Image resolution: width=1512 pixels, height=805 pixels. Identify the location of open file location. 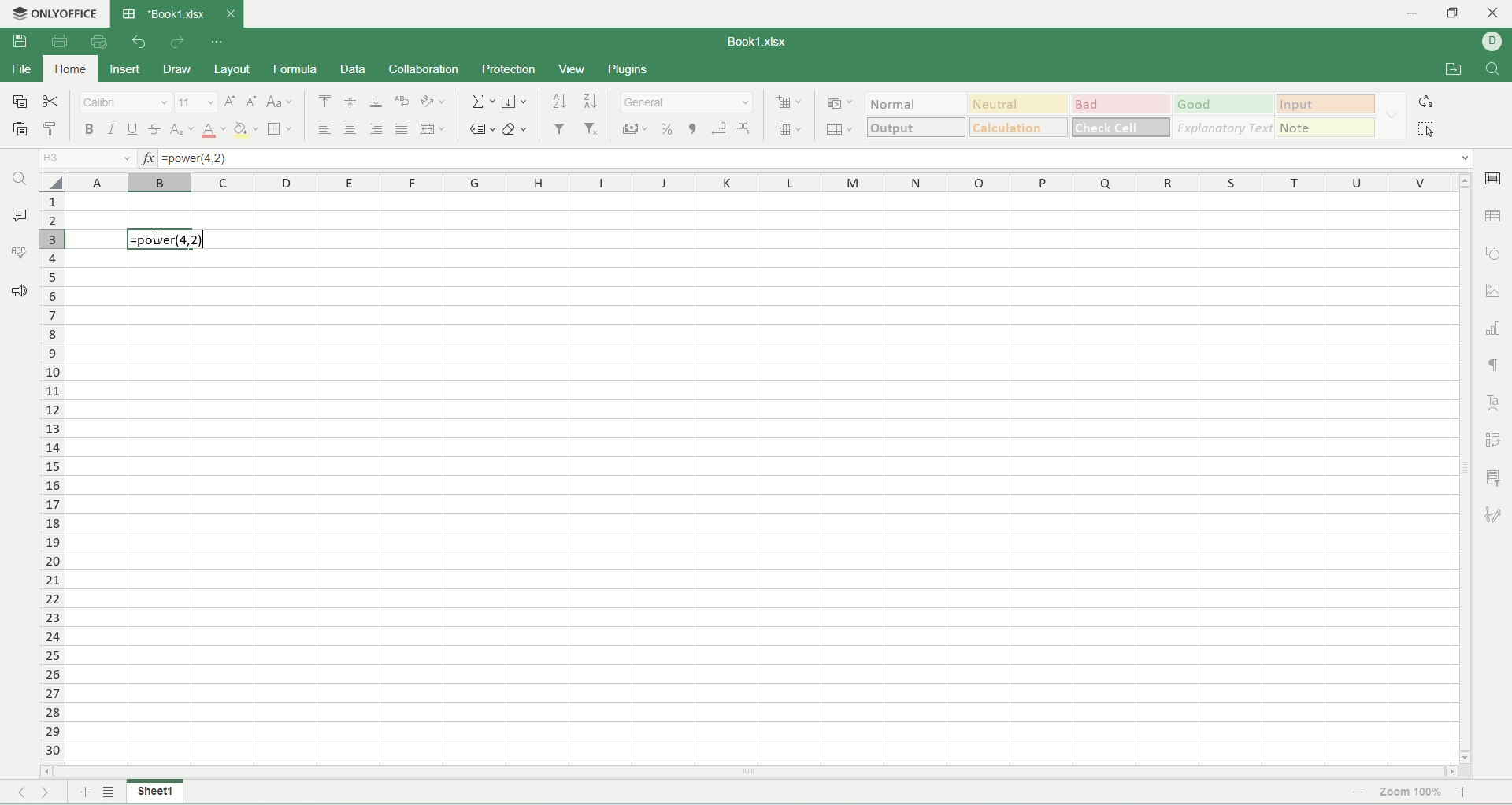
(1455, 71).